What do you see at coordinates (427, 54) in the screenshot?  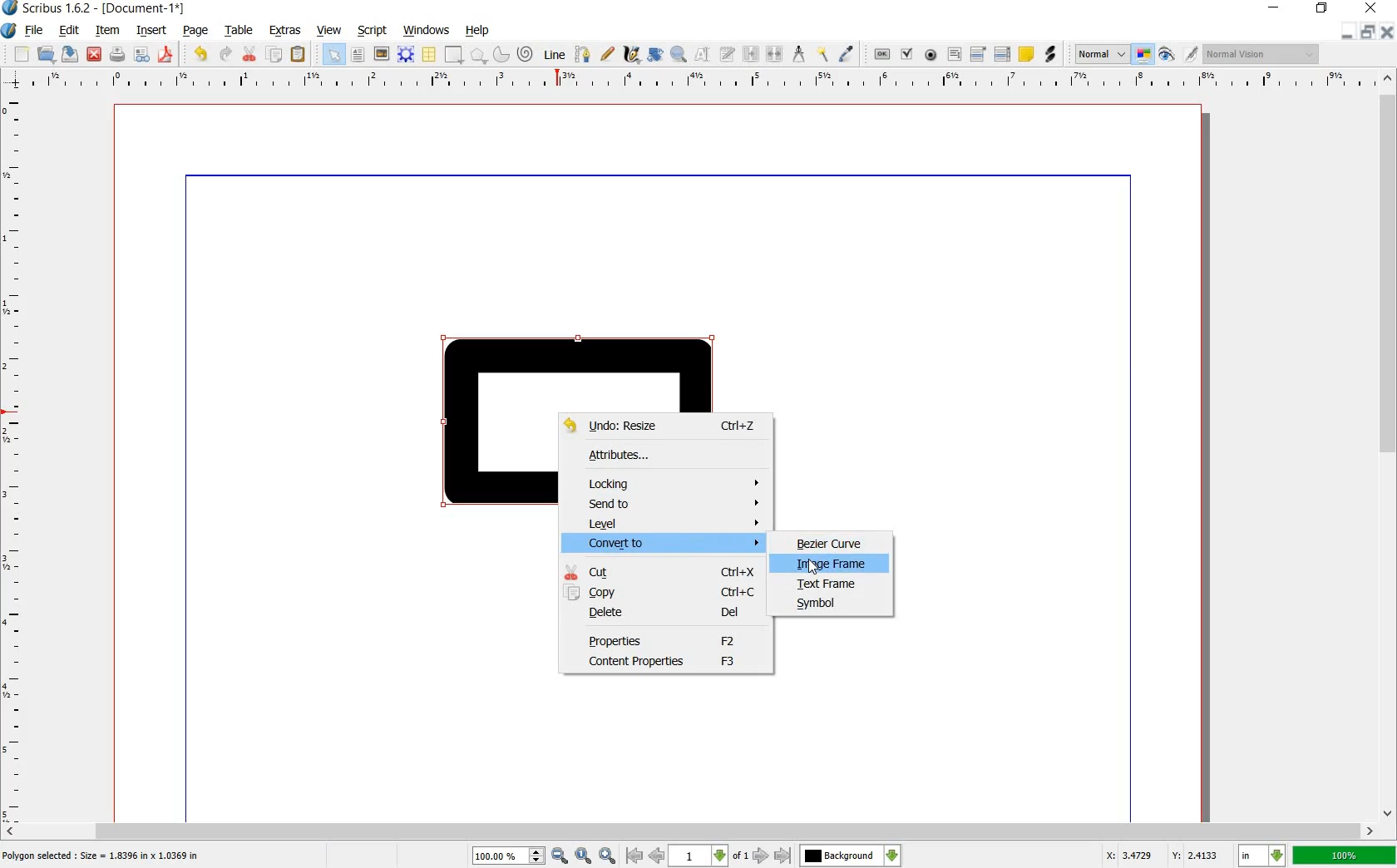 I see `table` at bounding box center [427, 54].